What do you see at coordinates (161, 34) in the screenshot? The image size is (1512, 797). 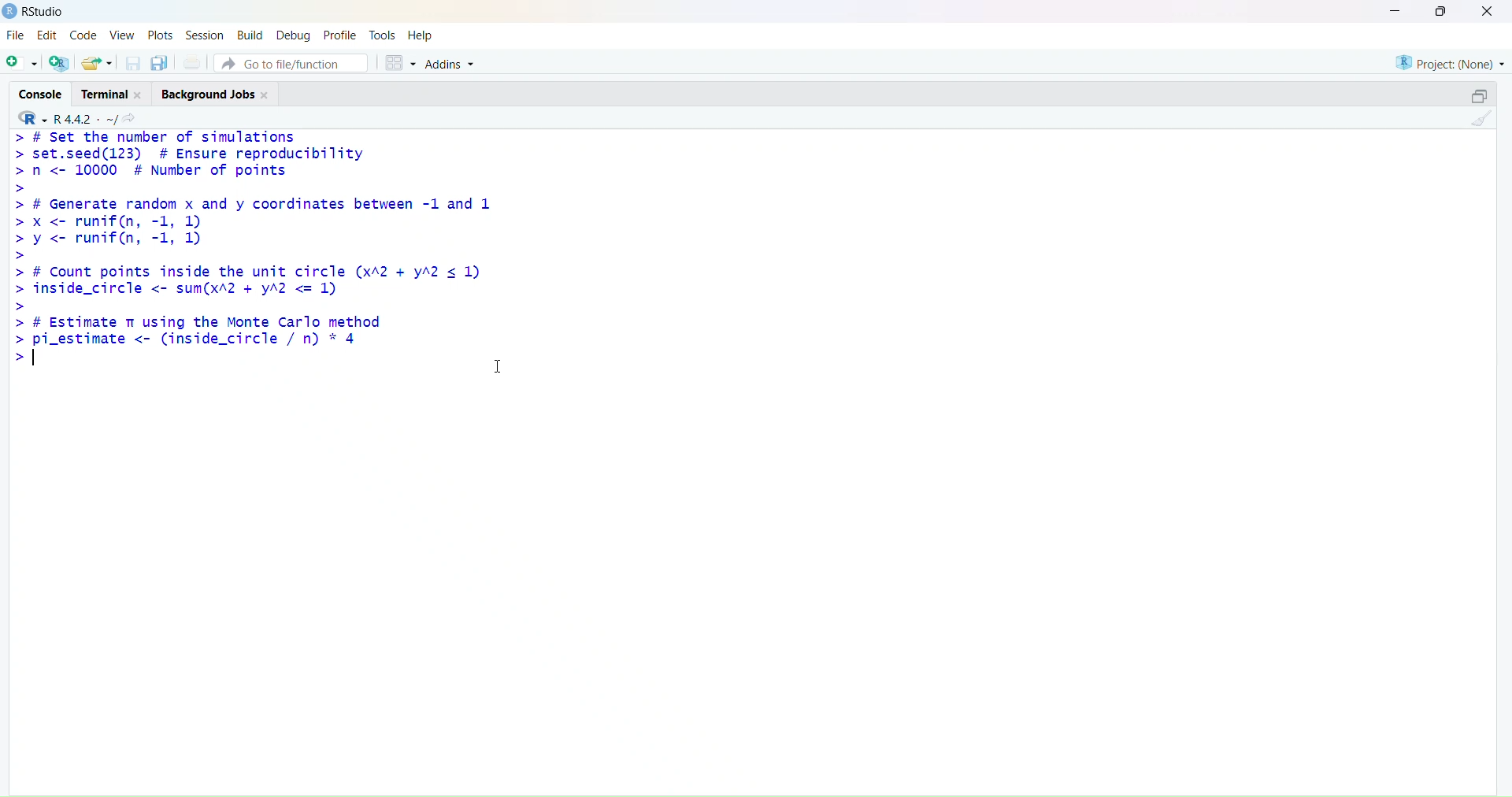 I see `Plots` at bounding box center [161, 34].